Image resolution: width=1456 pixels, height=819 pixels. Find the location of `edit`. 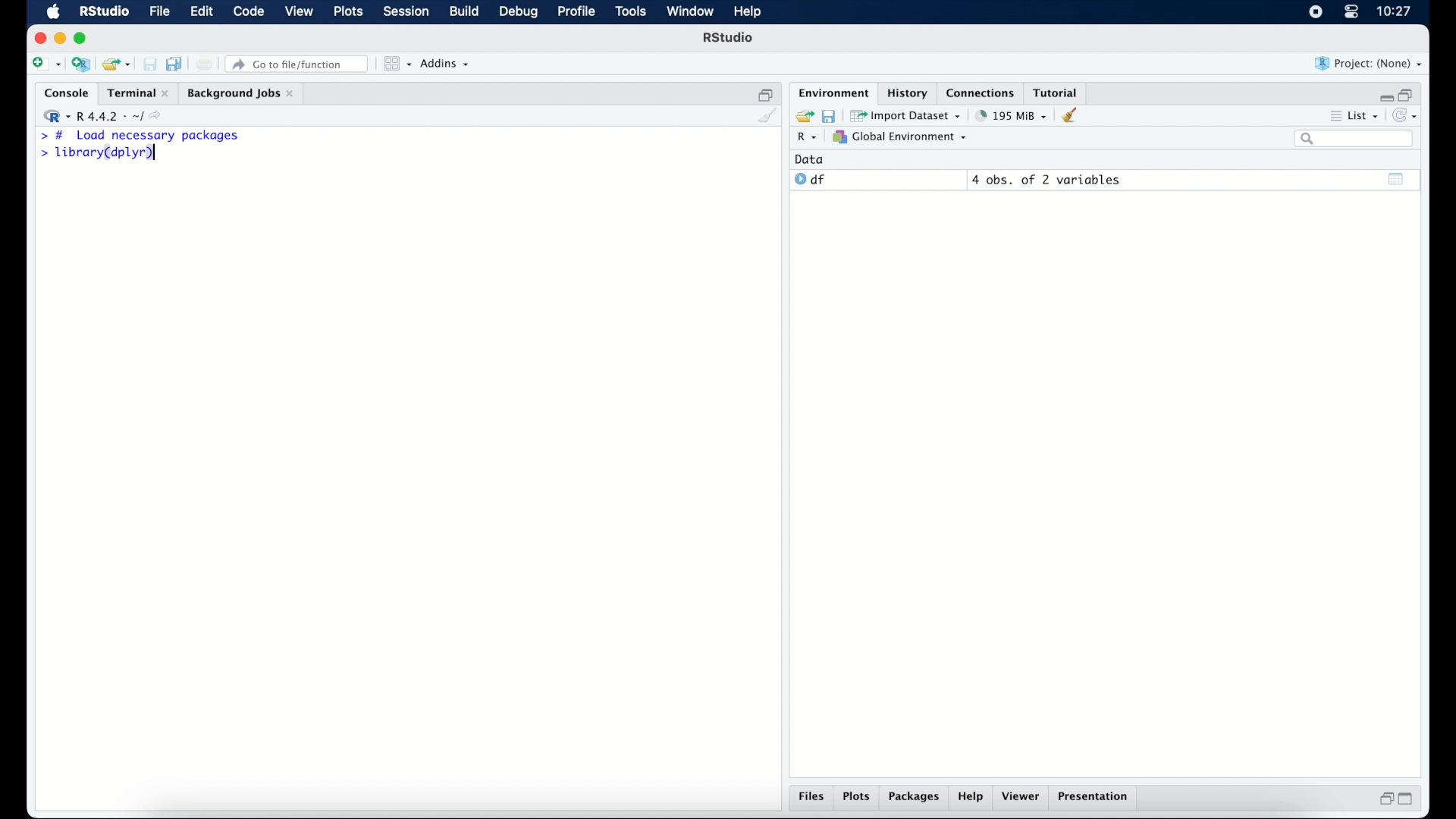

edit is located at coordinates (200, 12).